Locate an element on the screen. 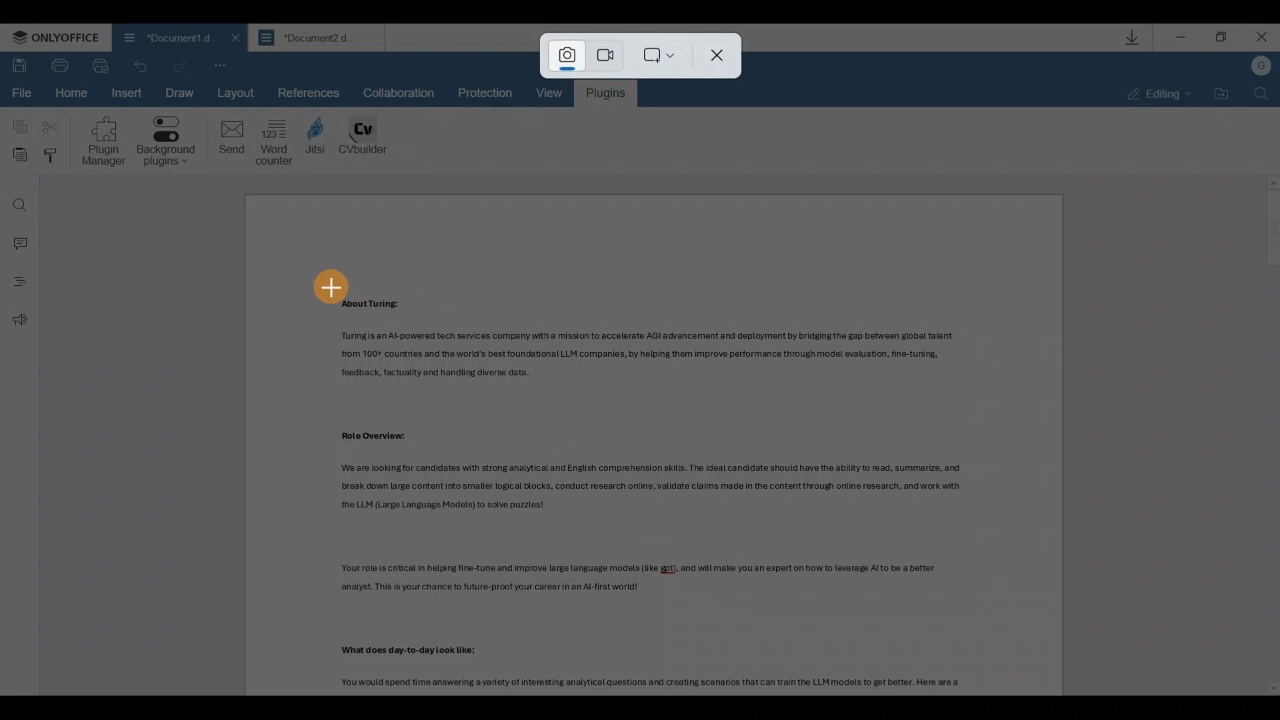  Close is located at coordinates (714, 59).